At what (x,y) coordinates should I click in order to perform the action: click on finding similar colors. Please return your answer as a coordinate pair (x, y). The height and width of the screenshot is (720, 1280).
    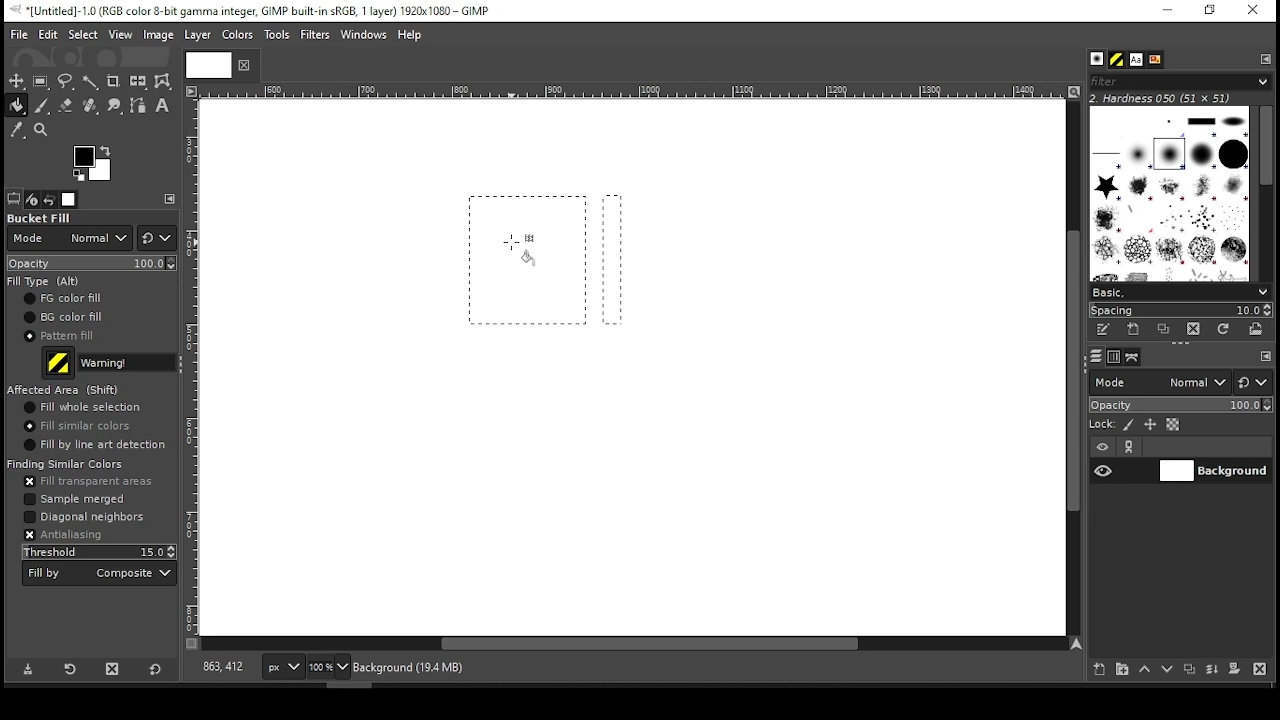
    Looking at the image, I should click on (66, 464).